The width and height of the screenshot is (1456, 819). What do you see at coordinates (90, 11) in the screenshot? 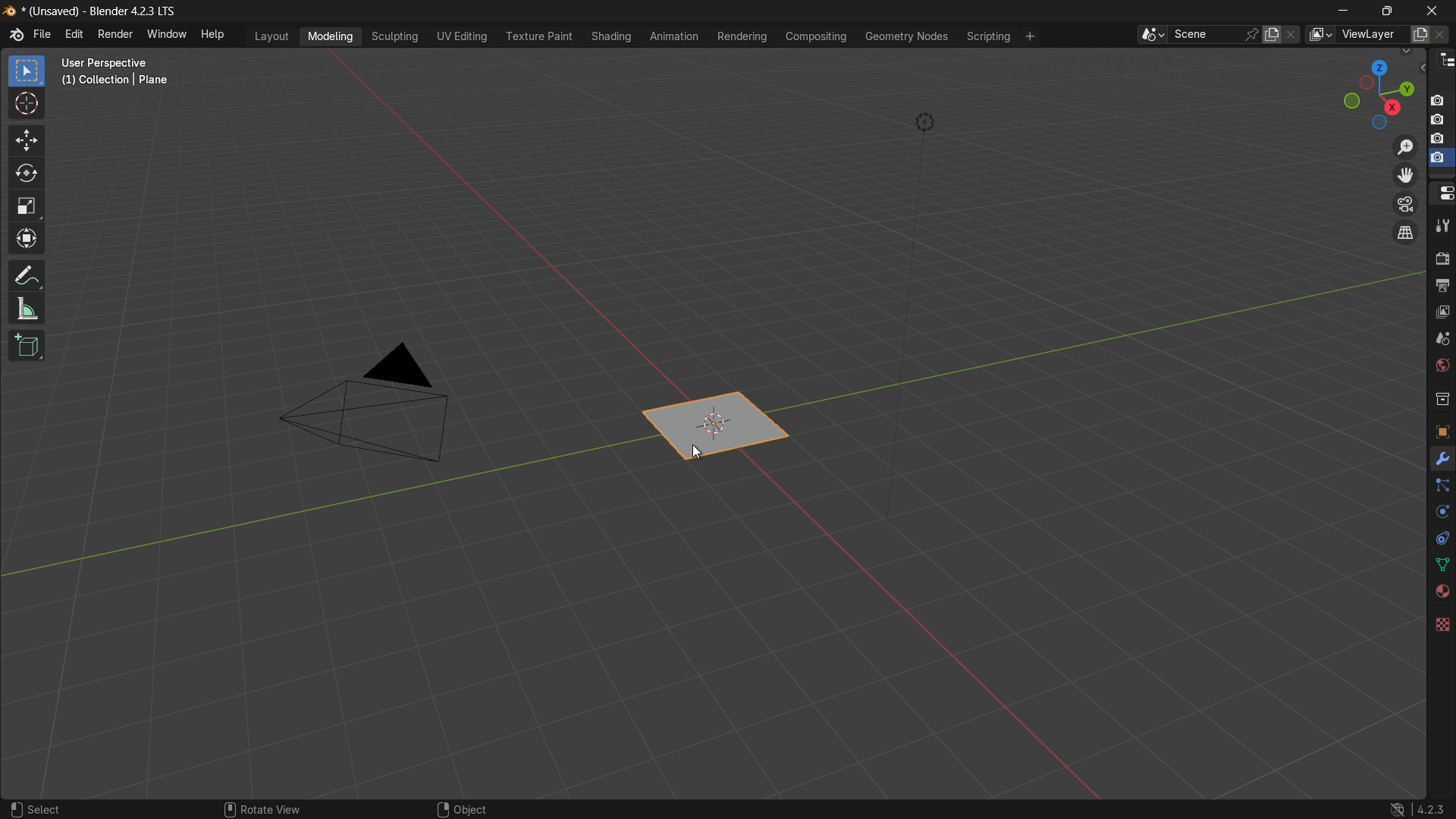
I see `unsaved blender 4.2.3 LTS` at bounding box center [90, 11].